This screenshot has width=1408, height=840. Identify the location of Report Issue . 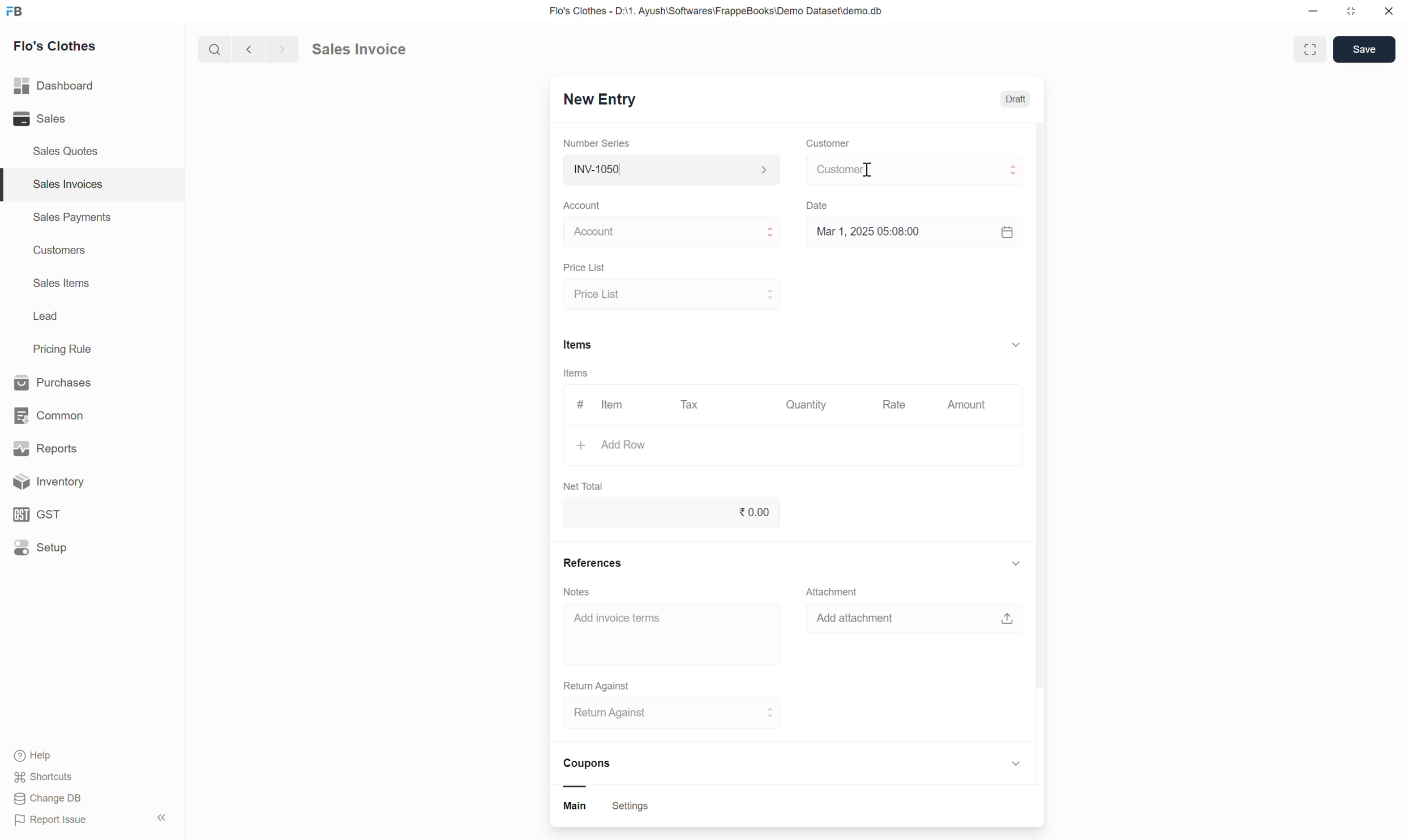
(60, 822).